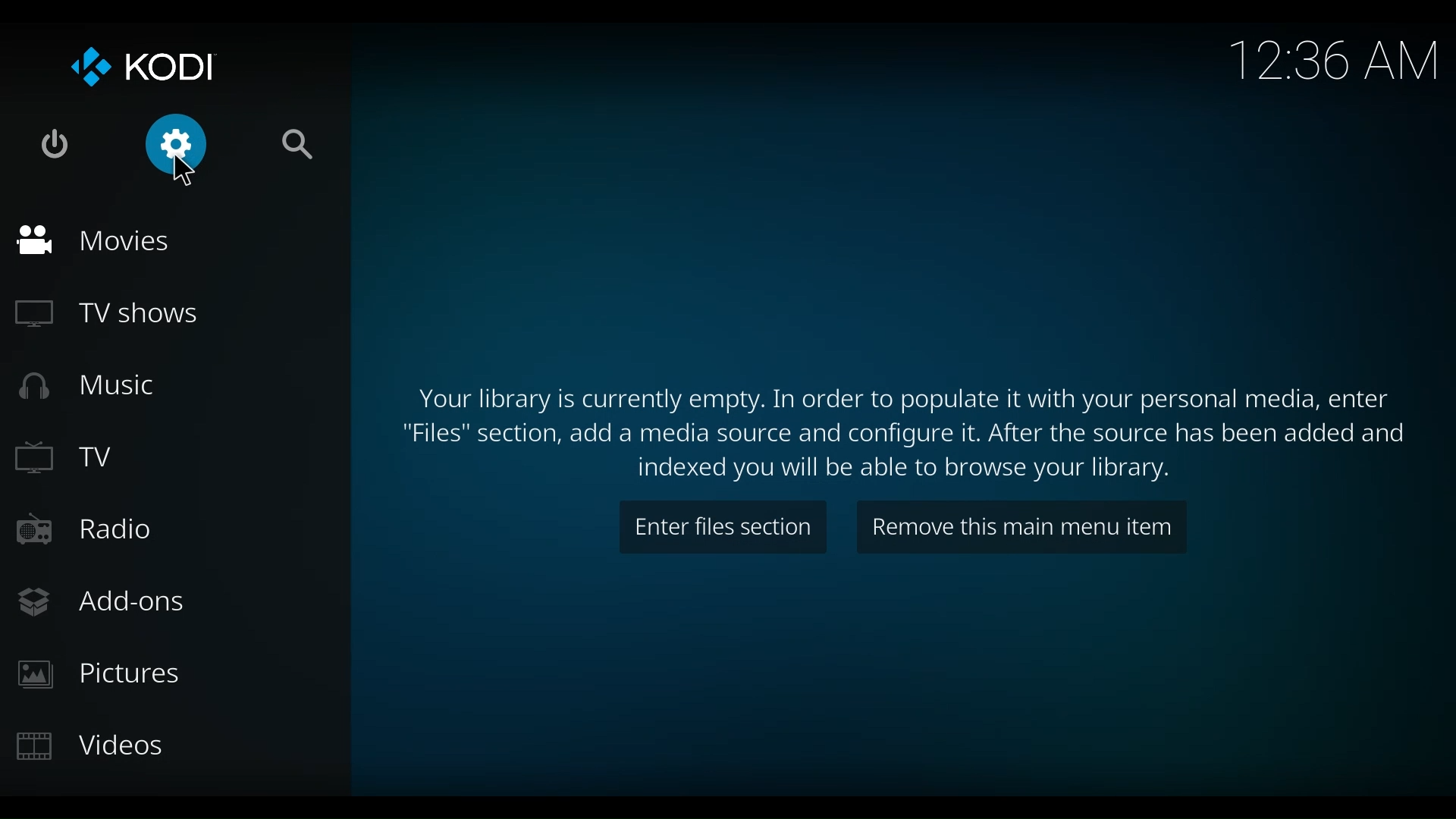  Describe the element at coordinates (55, 144) in the screenshot. I see `Power options` at that location.